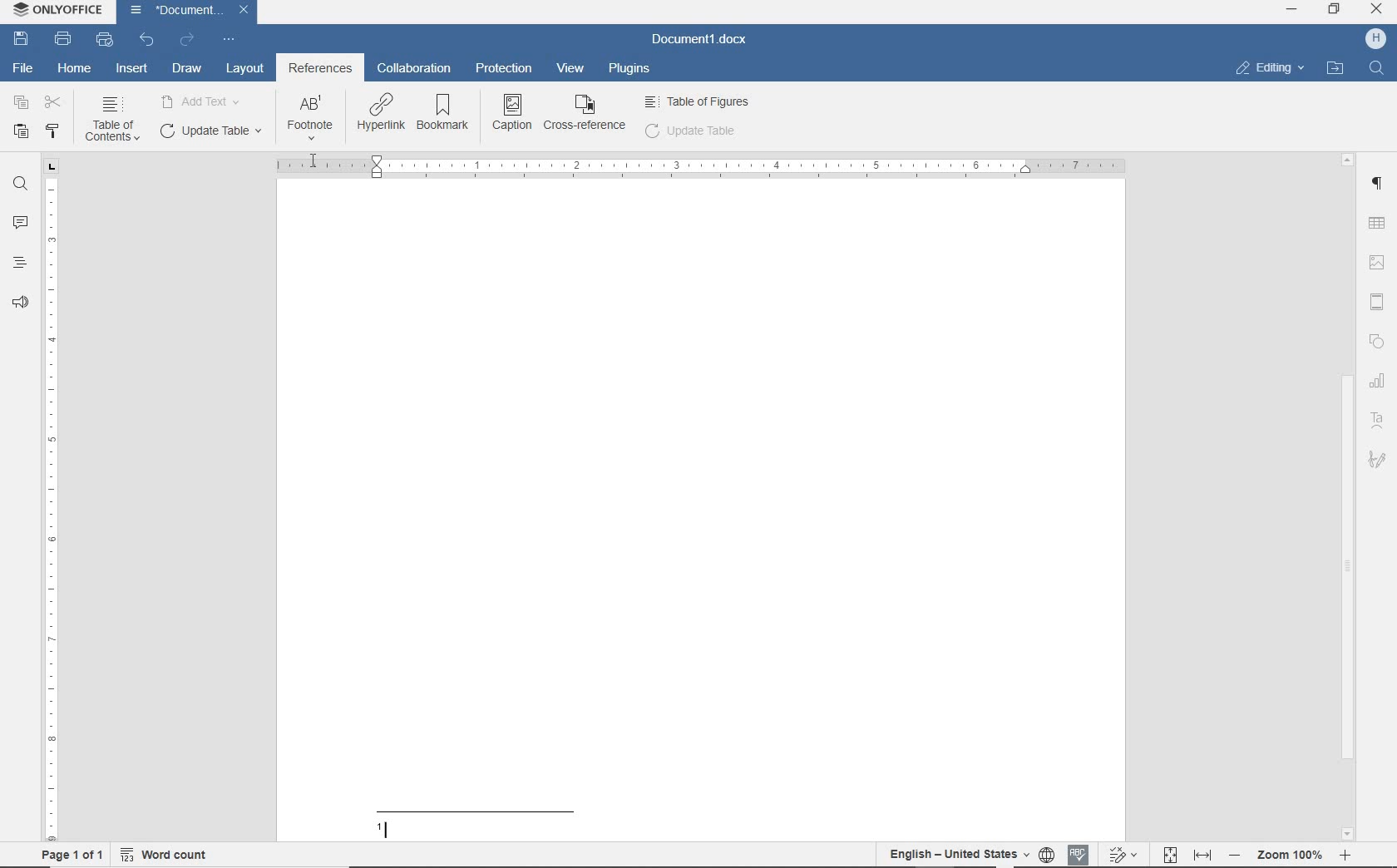  I want to click on footnote added to the bottom of the page, so click(551, 819).